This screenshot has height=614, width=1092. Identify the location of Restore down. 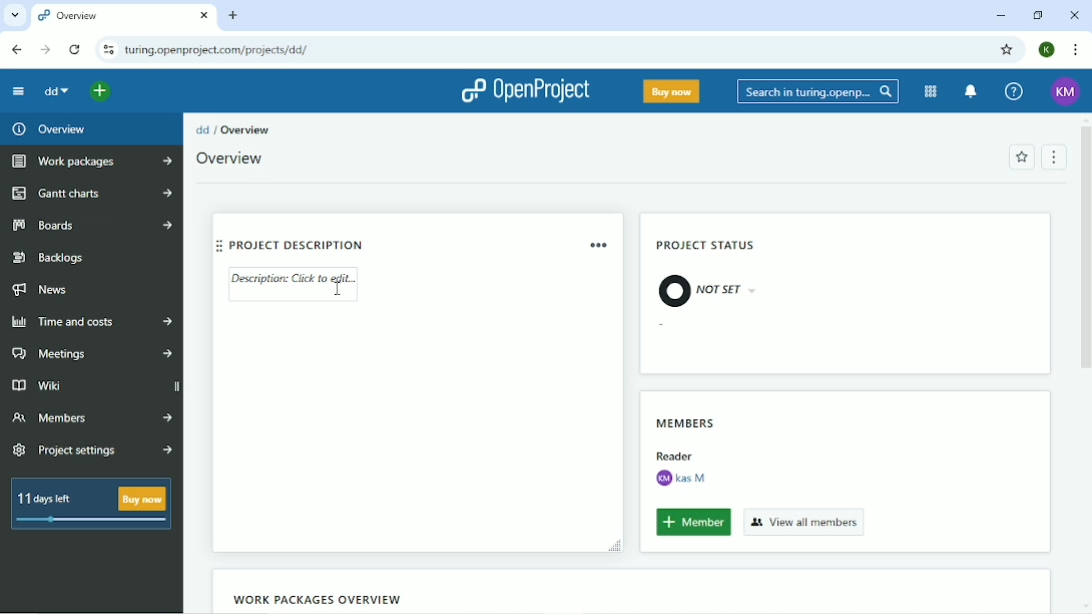
(1037, 15).